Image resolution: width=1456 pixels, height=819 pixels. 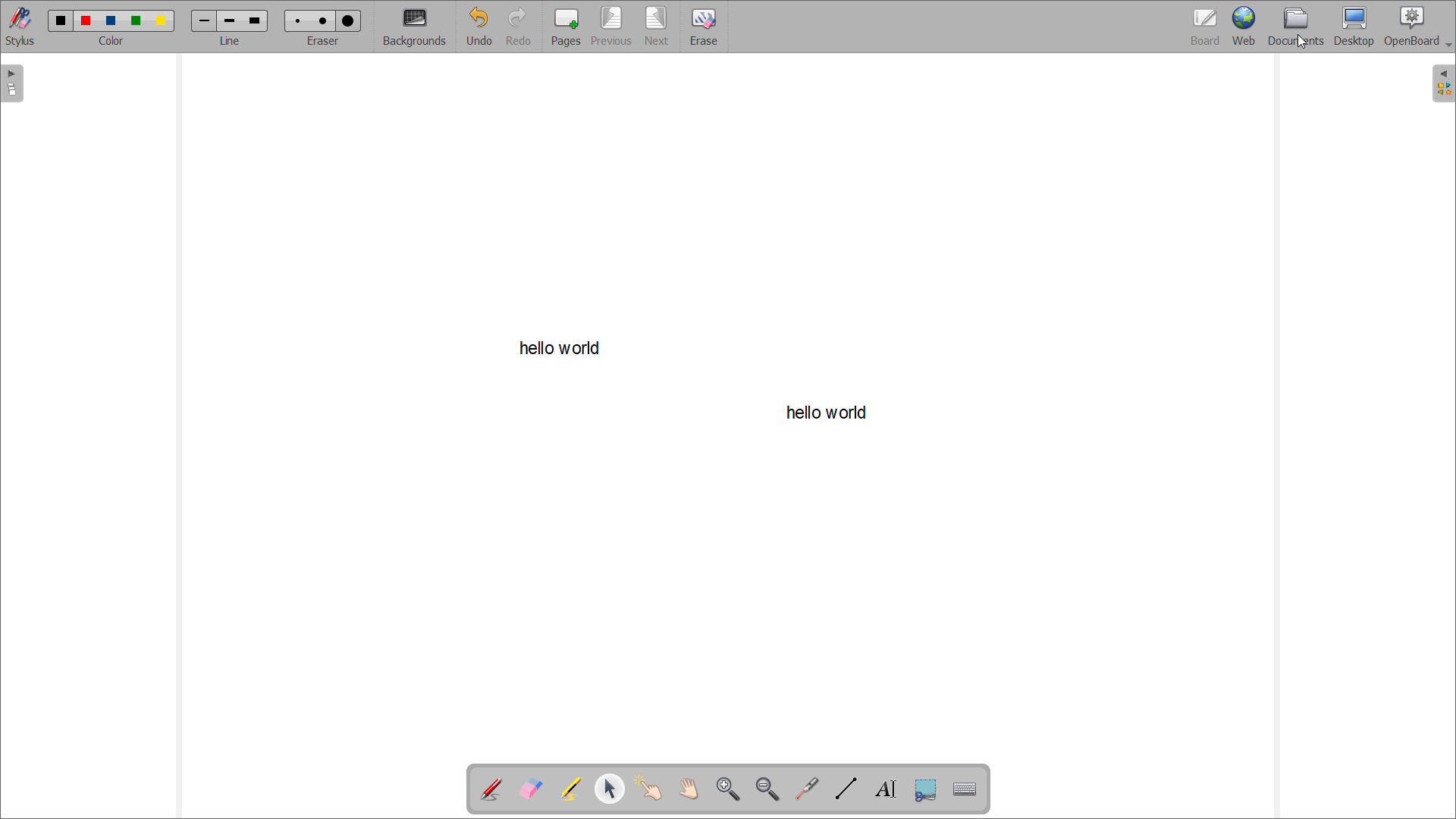 I want to click on hello world (writing space/board), so click(x=725, y=412).